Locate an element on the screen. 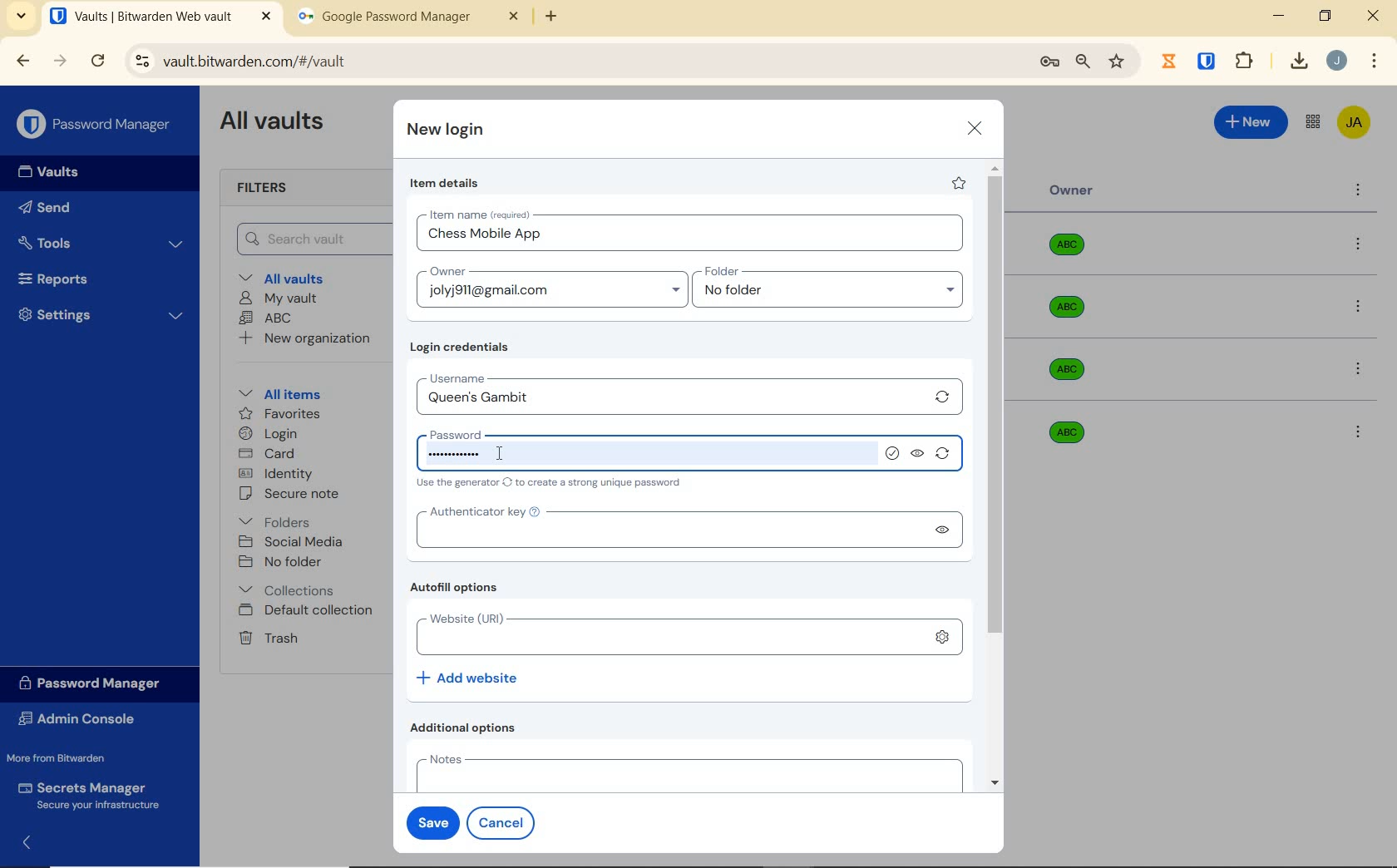 The width and height of the screenshot is (1397, 868). My Vault is located at coordinates (279, 298).